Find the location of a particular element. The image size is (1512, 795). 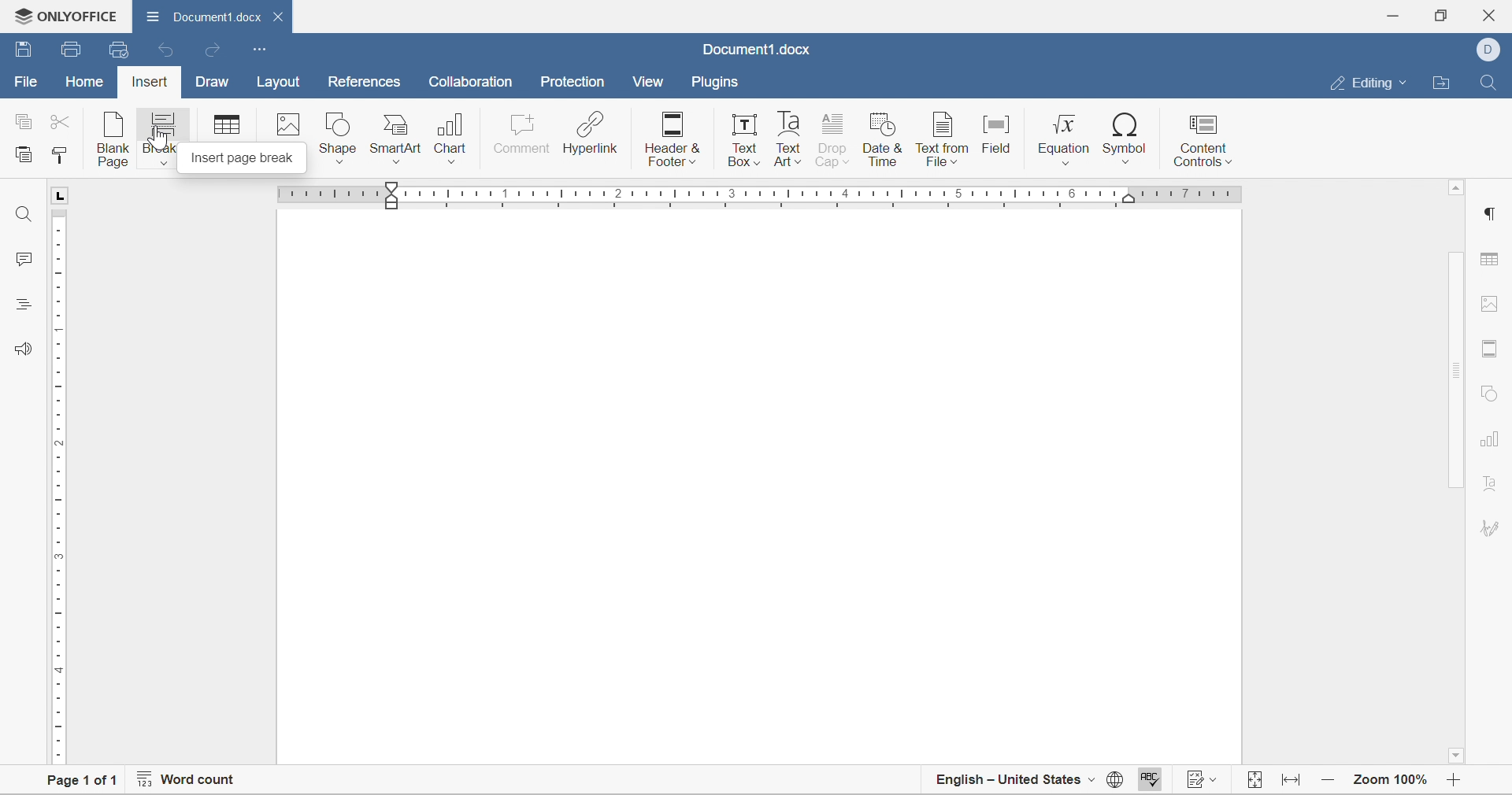

File is located at coordinates (22, 83).